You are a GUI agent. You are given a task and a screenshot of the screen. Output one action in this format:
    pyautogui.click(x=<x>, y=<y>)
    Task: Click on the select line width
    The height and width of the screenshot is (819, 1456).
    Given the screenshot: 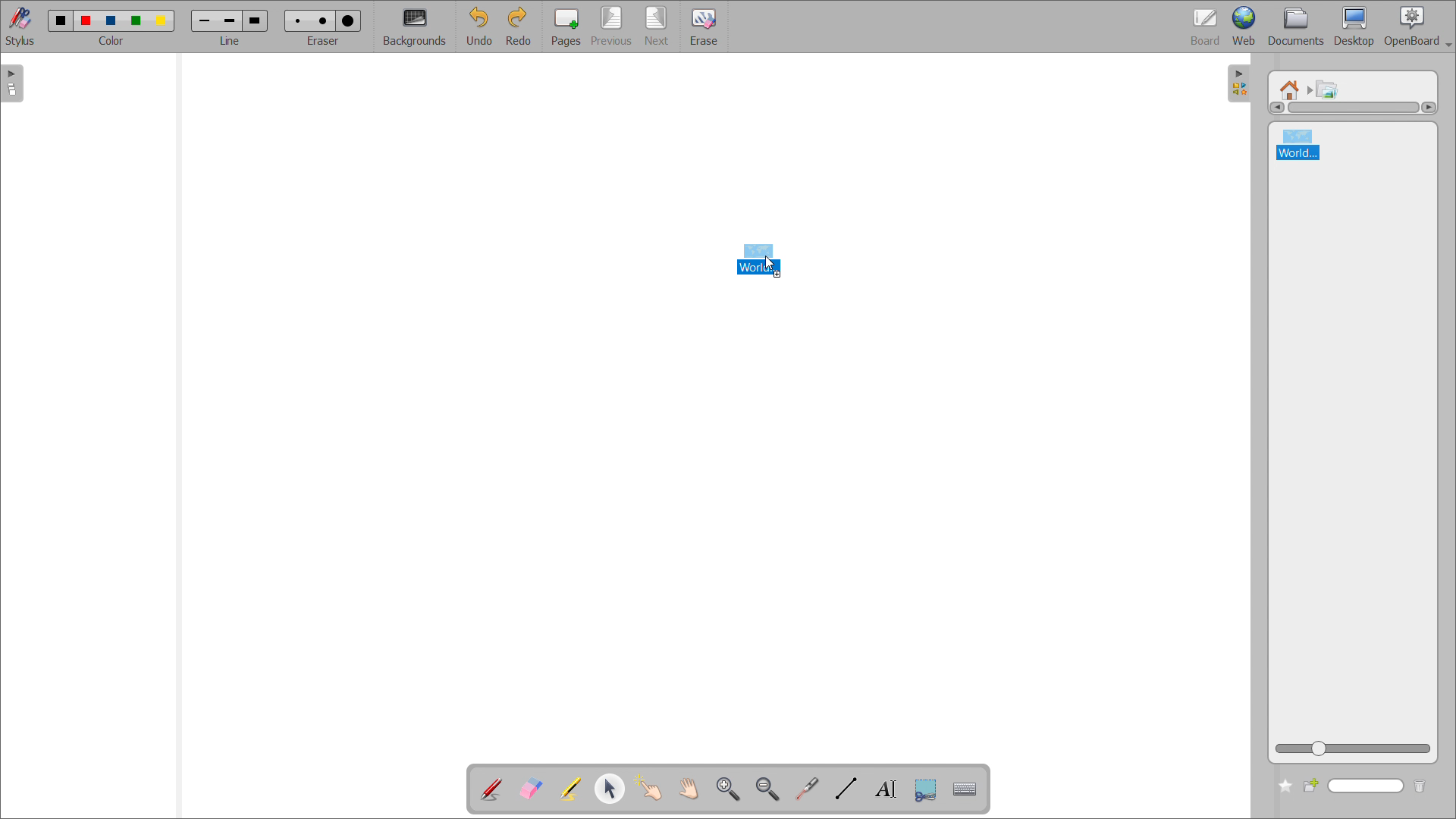 What is the action you would take?
    pyautogui.click(x=230, y=27)
    